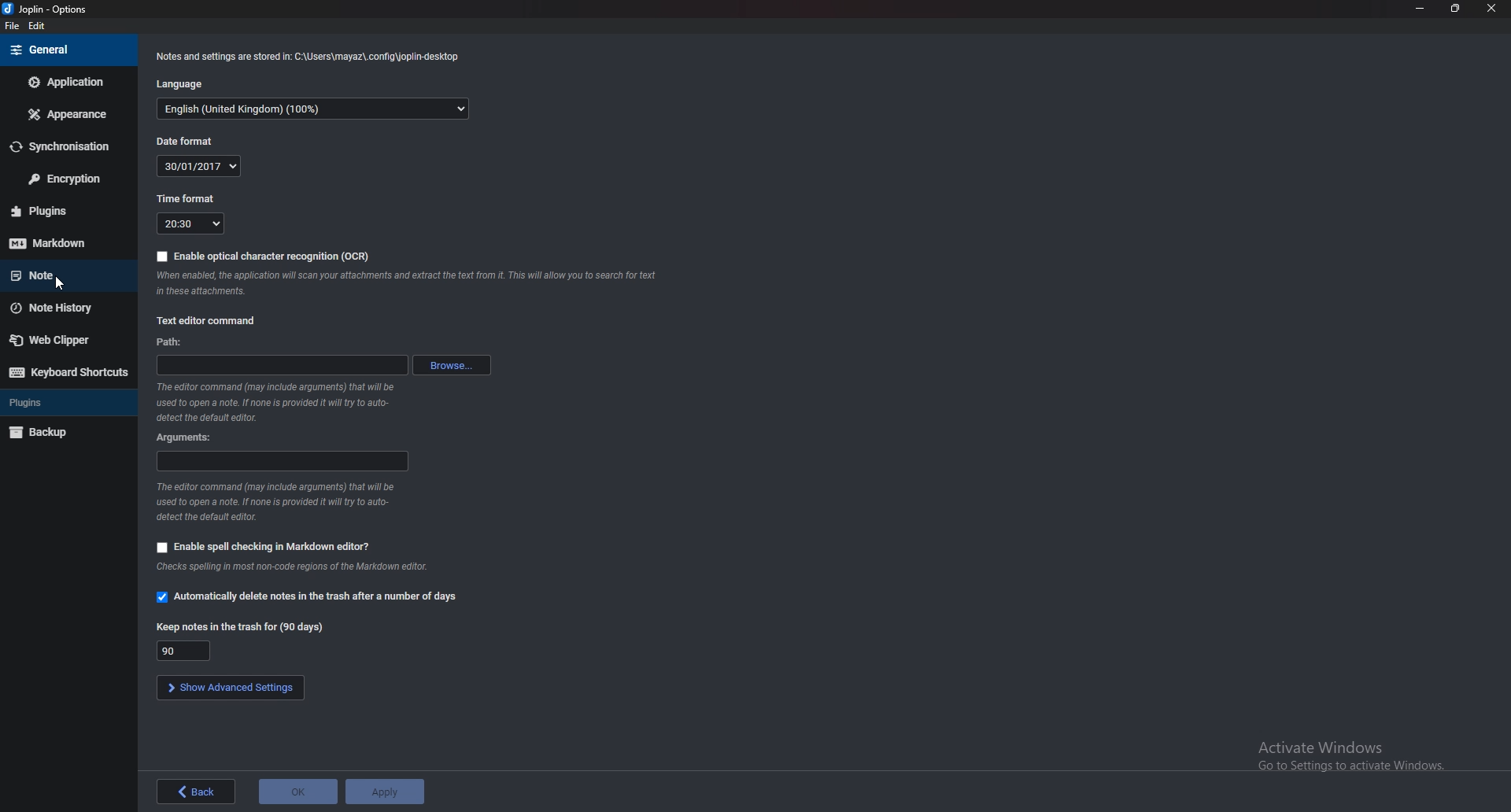 The image size is (1511, 812). What do you see at coordinates (44, 27) in the screenshot?
I see `edit` at bounding box center [44, 27].